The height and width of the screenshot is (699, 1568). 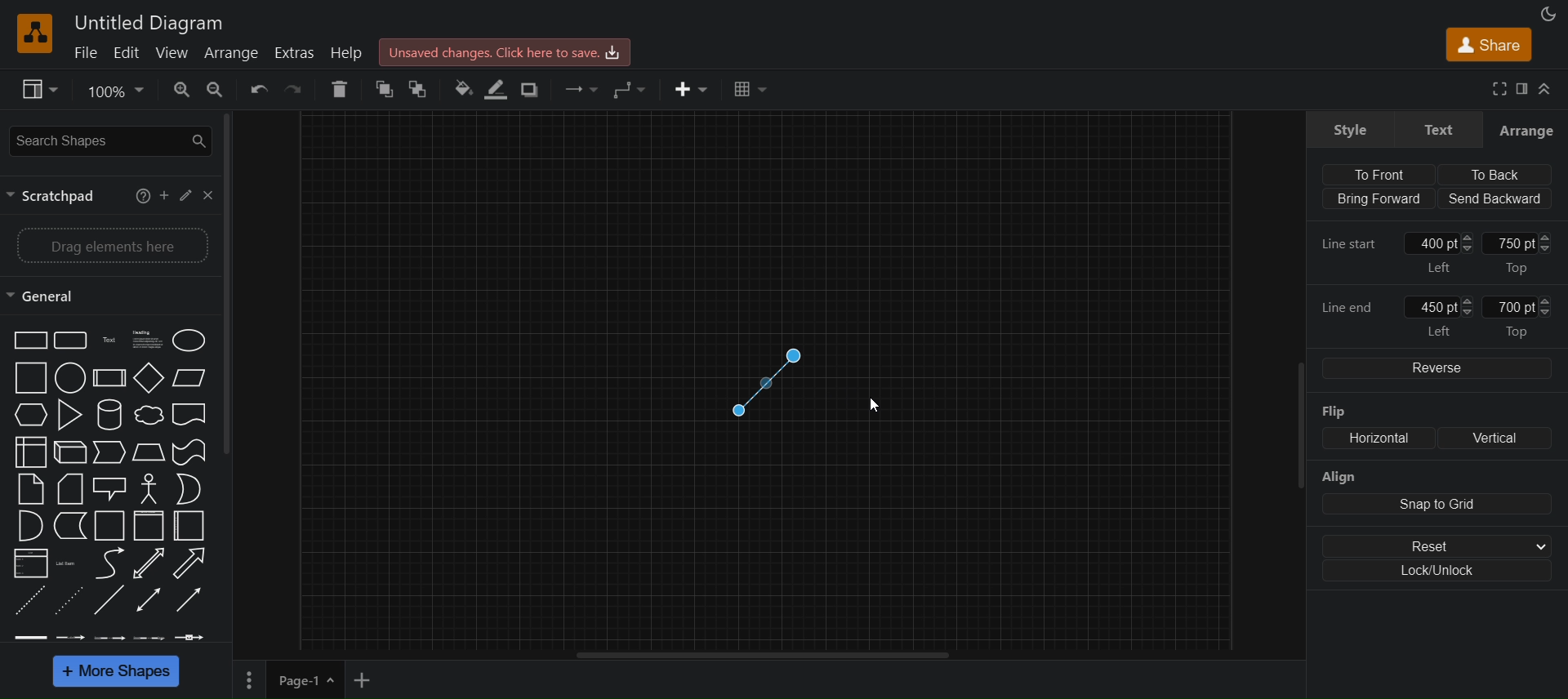 I want to click on snap to grid, so click(x=1437, y=505).